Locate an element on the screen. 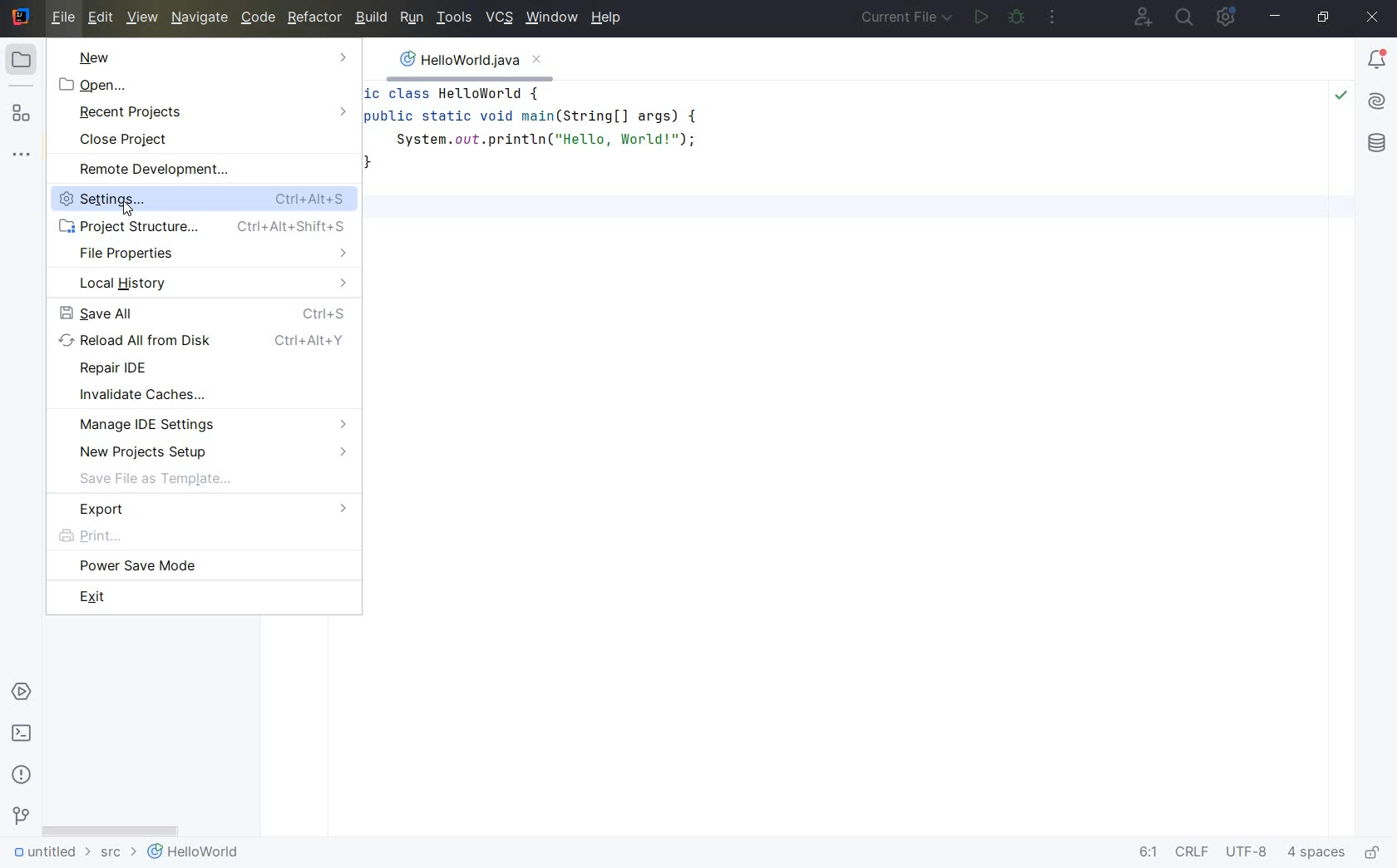  POWER SAVE MODE is located at coordinates (202, 567).